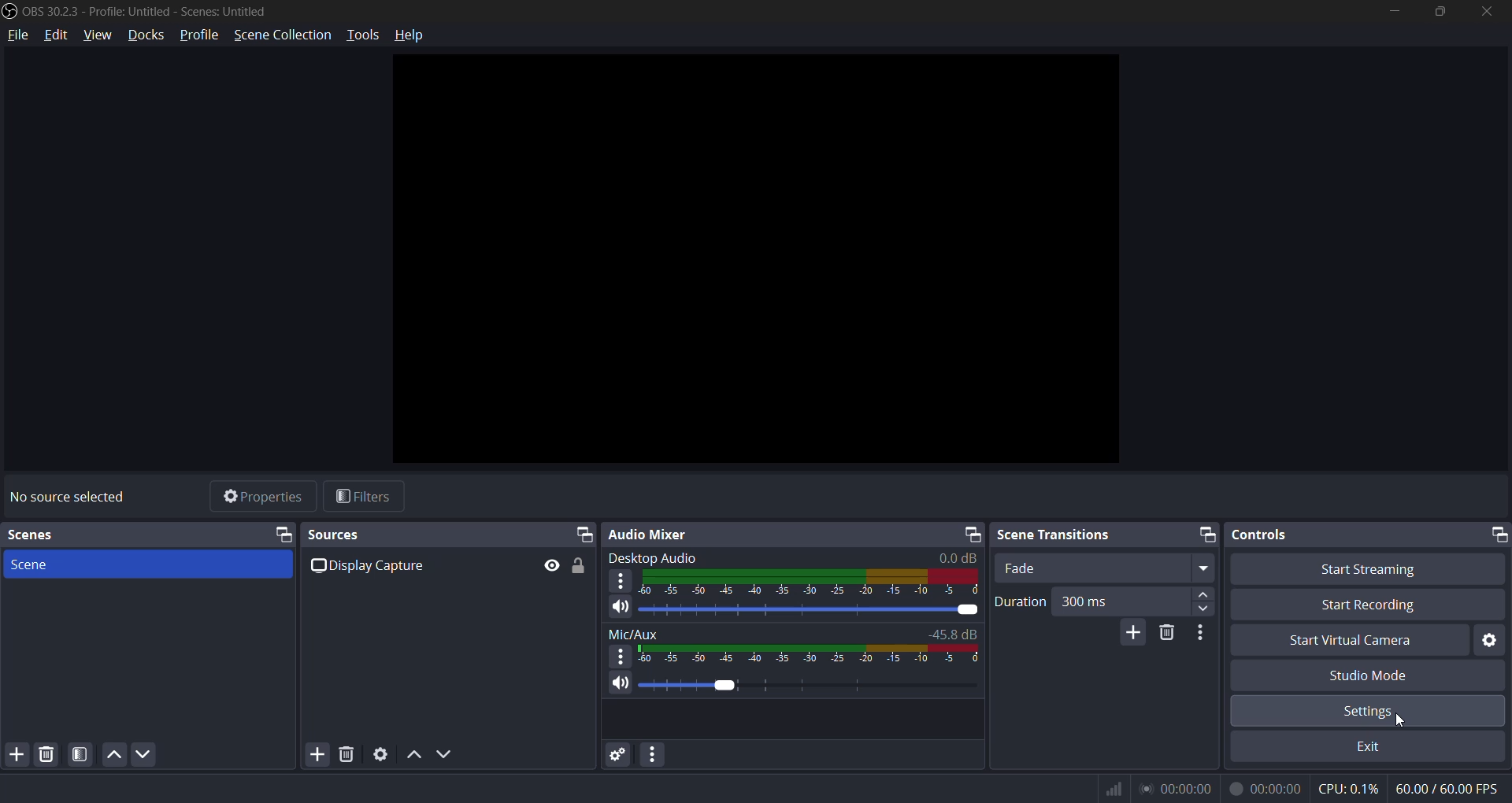 This screenshot has height=803, width=1512. I want to click on options, so click(622, 656).